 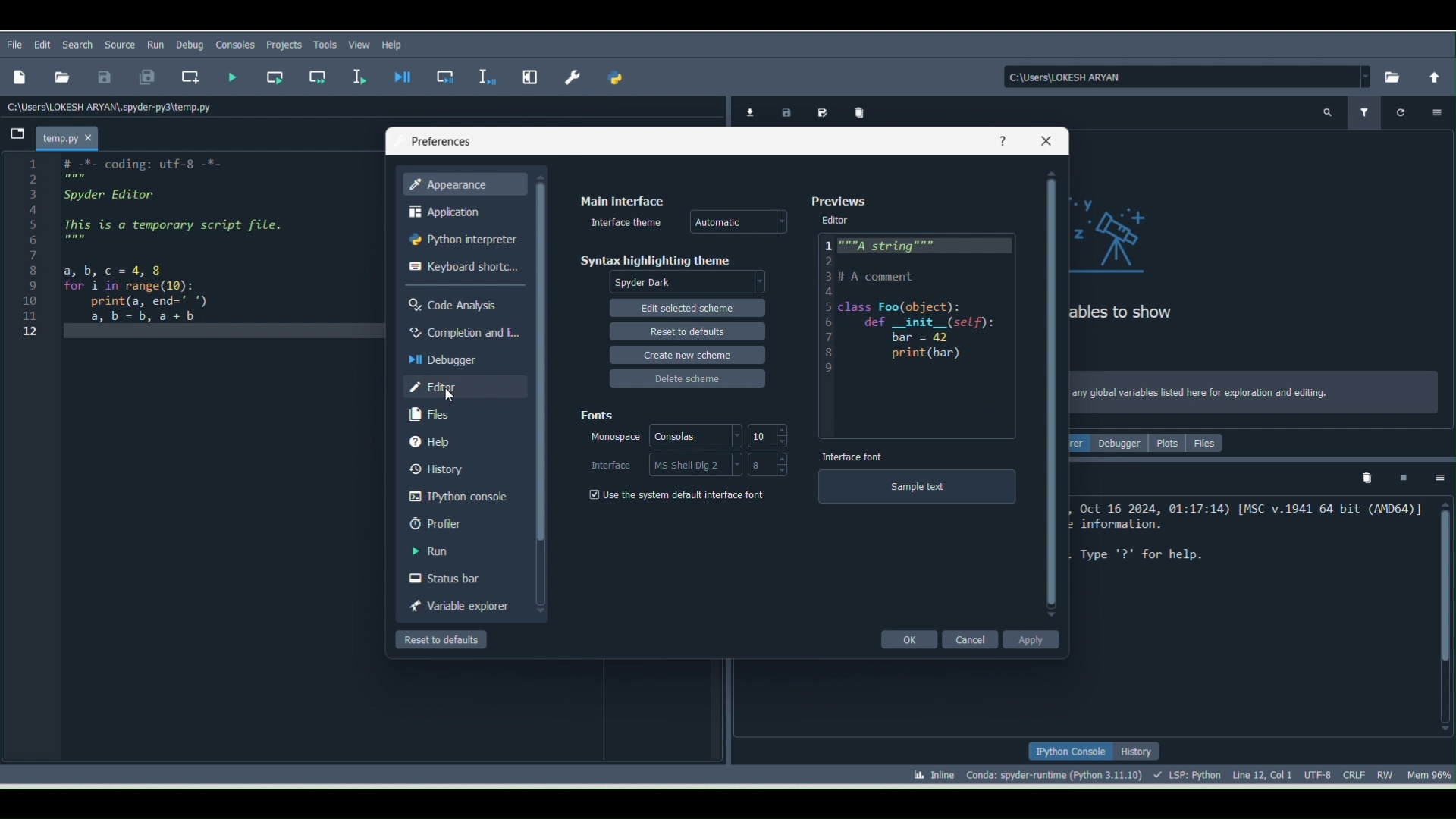 What do you see at coordinates (156, 42) in the screenshot?
I see `Run` at bounding box center [156, 42].